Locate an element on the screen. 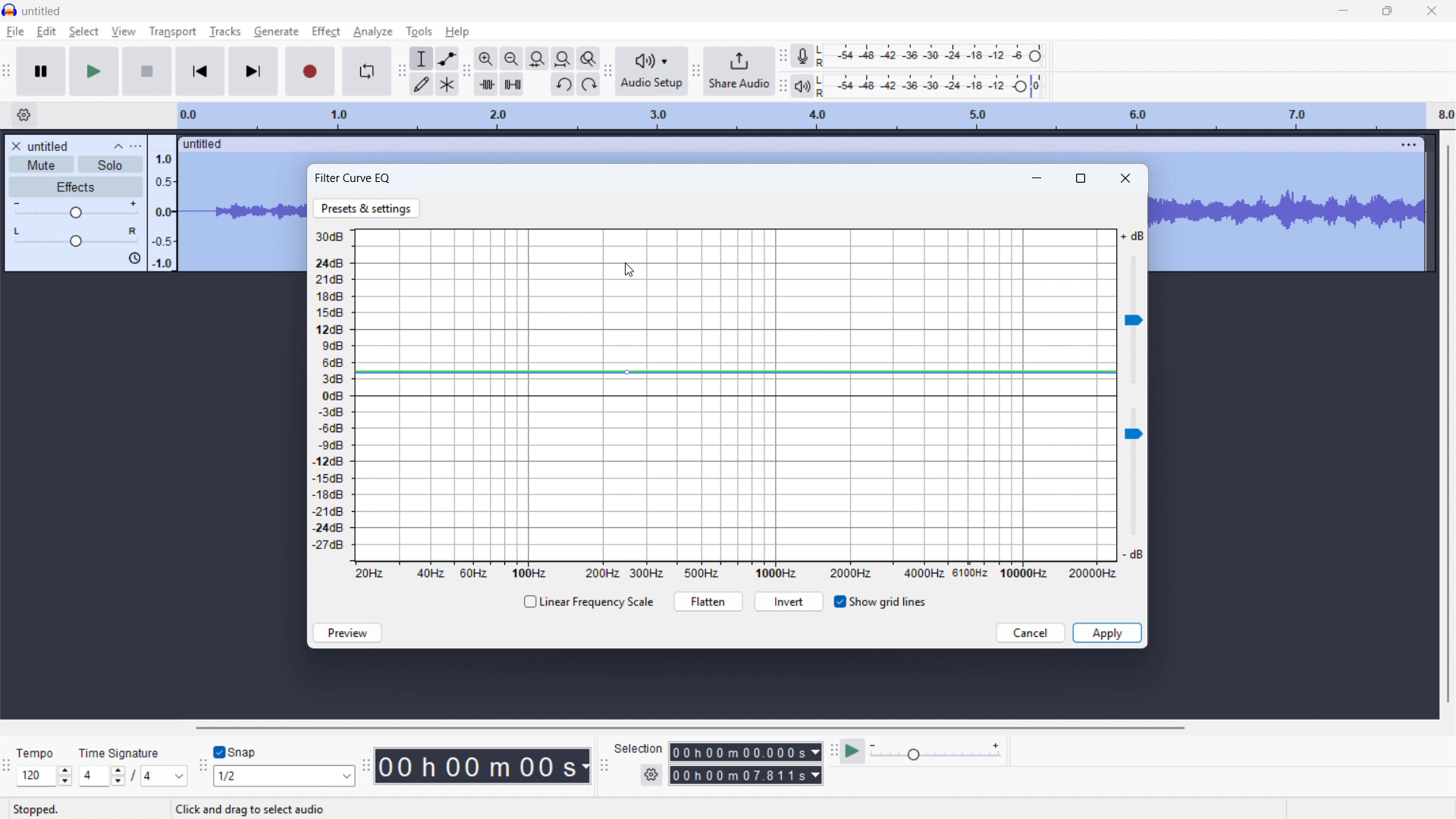  click and drag to select audio is located at coordinates (250, 808).